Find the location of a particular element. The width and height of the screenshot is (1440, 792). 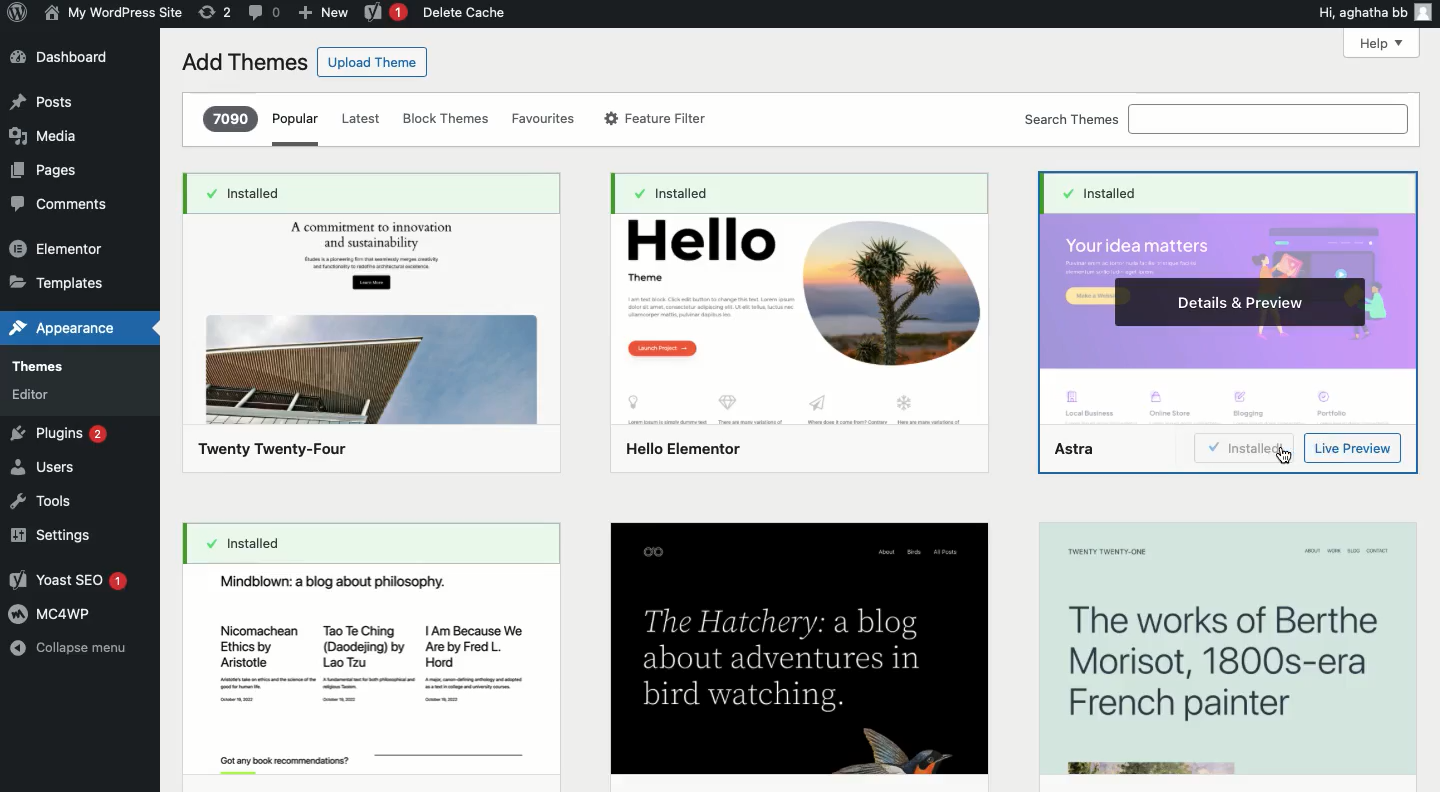

Tools is located at coordinates (41, 502).